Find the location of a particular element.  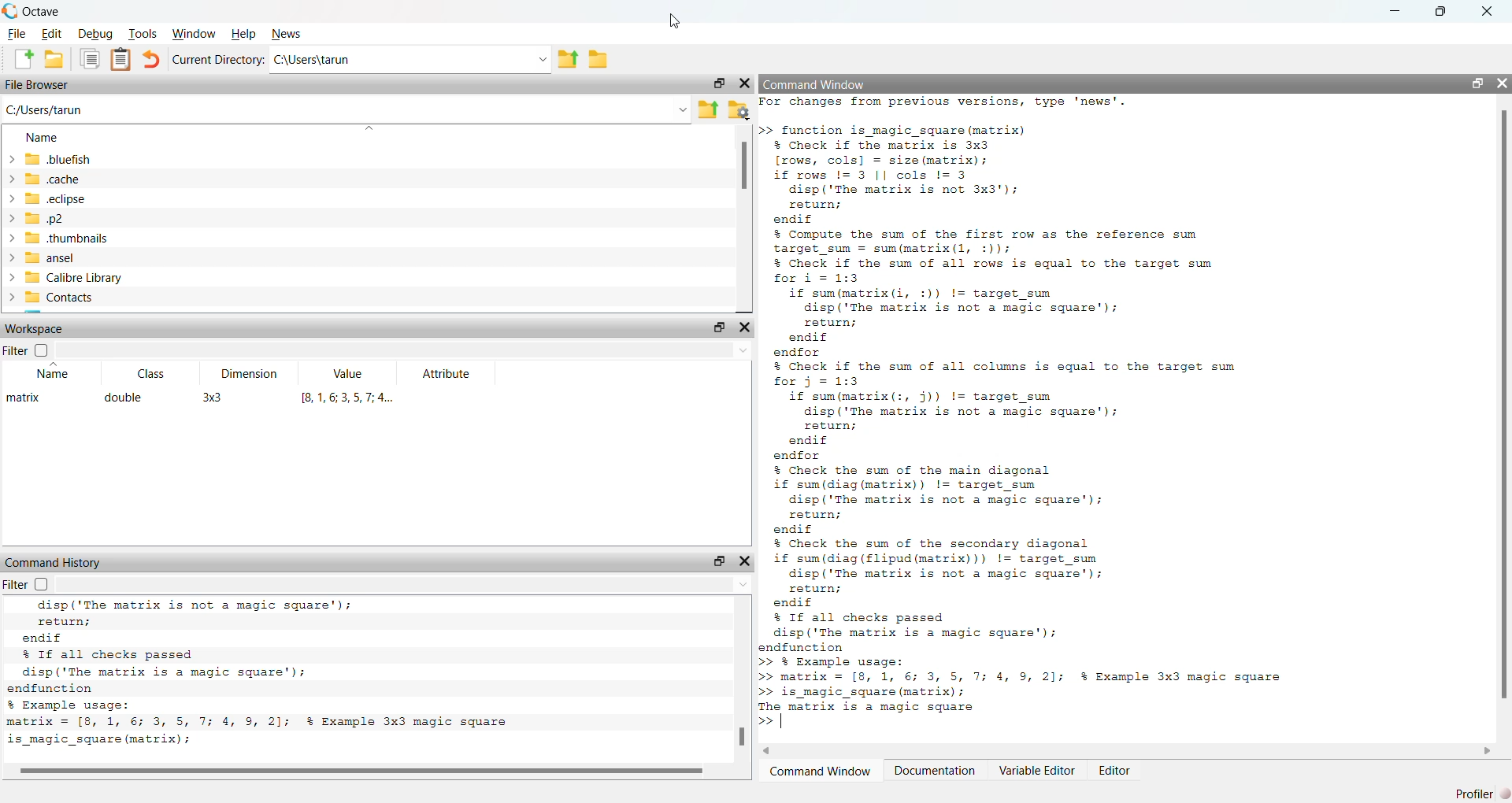

Attribute is located at coordinates (448, 374).